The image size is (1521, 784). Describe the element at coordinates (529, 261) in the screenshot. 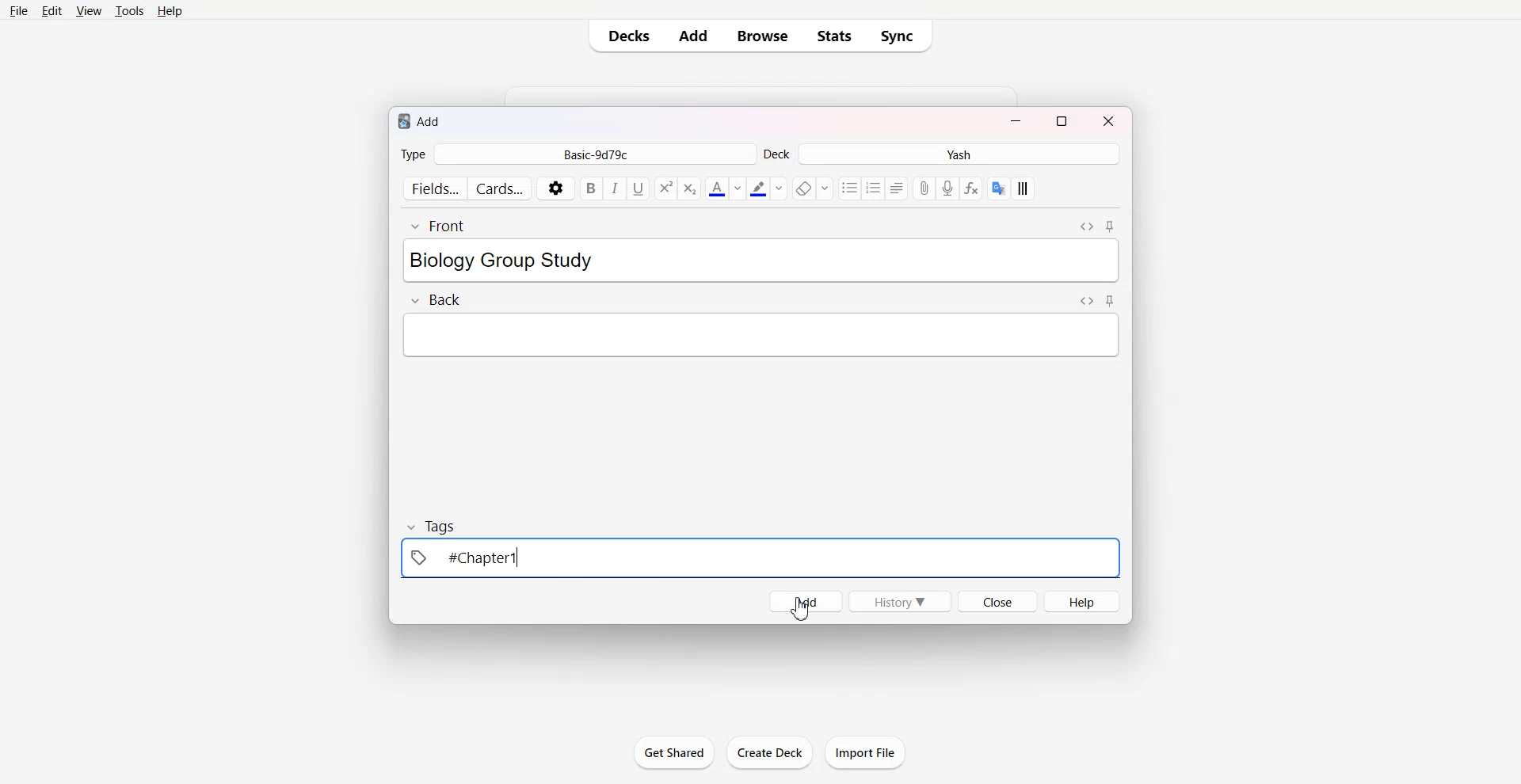

I see `Text - biology group study` at that location.